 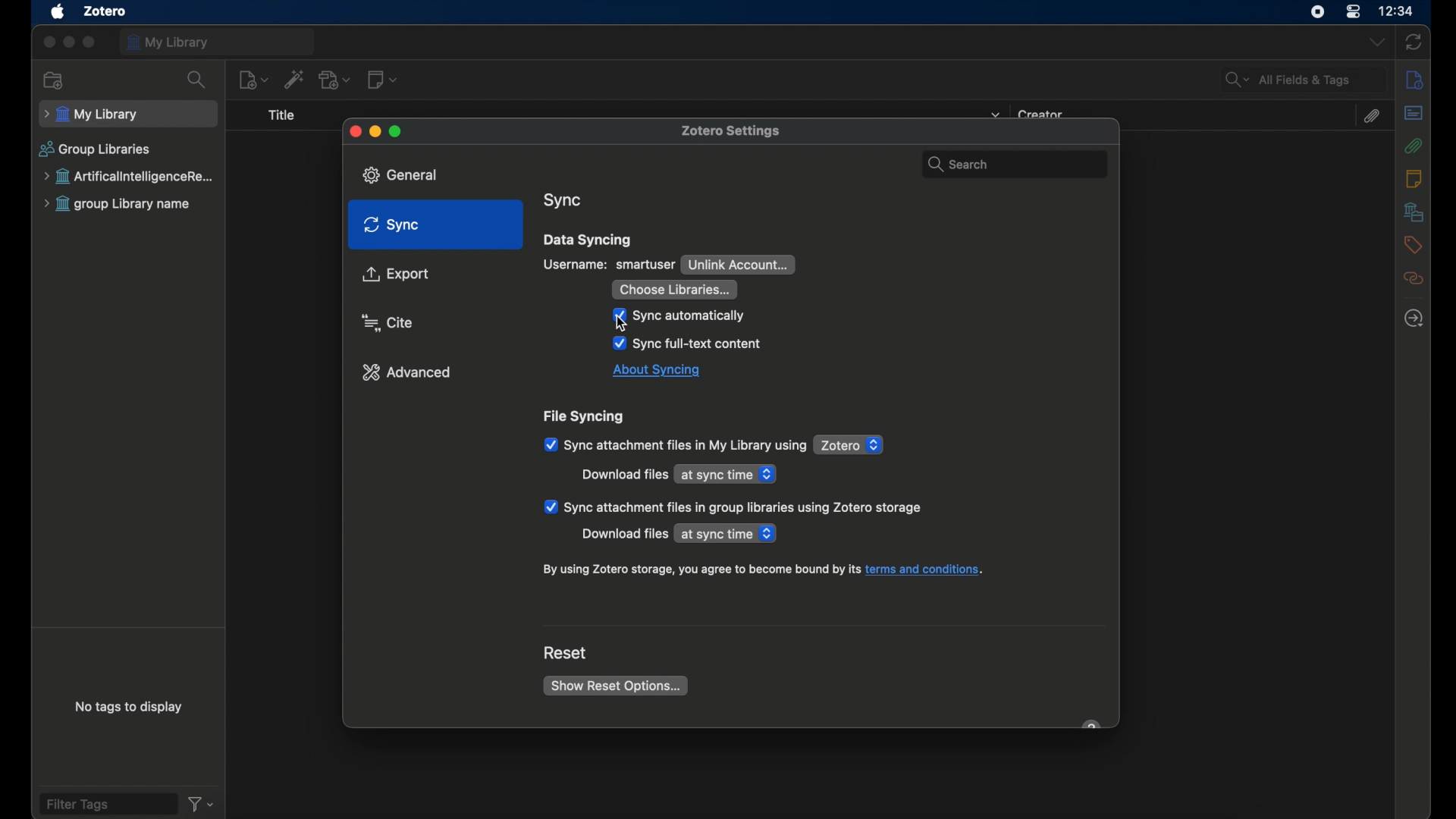 What do you see at coordinates (1373, 116) in the screenshot?
I see `attachments` at bounding box center [1373, 116].